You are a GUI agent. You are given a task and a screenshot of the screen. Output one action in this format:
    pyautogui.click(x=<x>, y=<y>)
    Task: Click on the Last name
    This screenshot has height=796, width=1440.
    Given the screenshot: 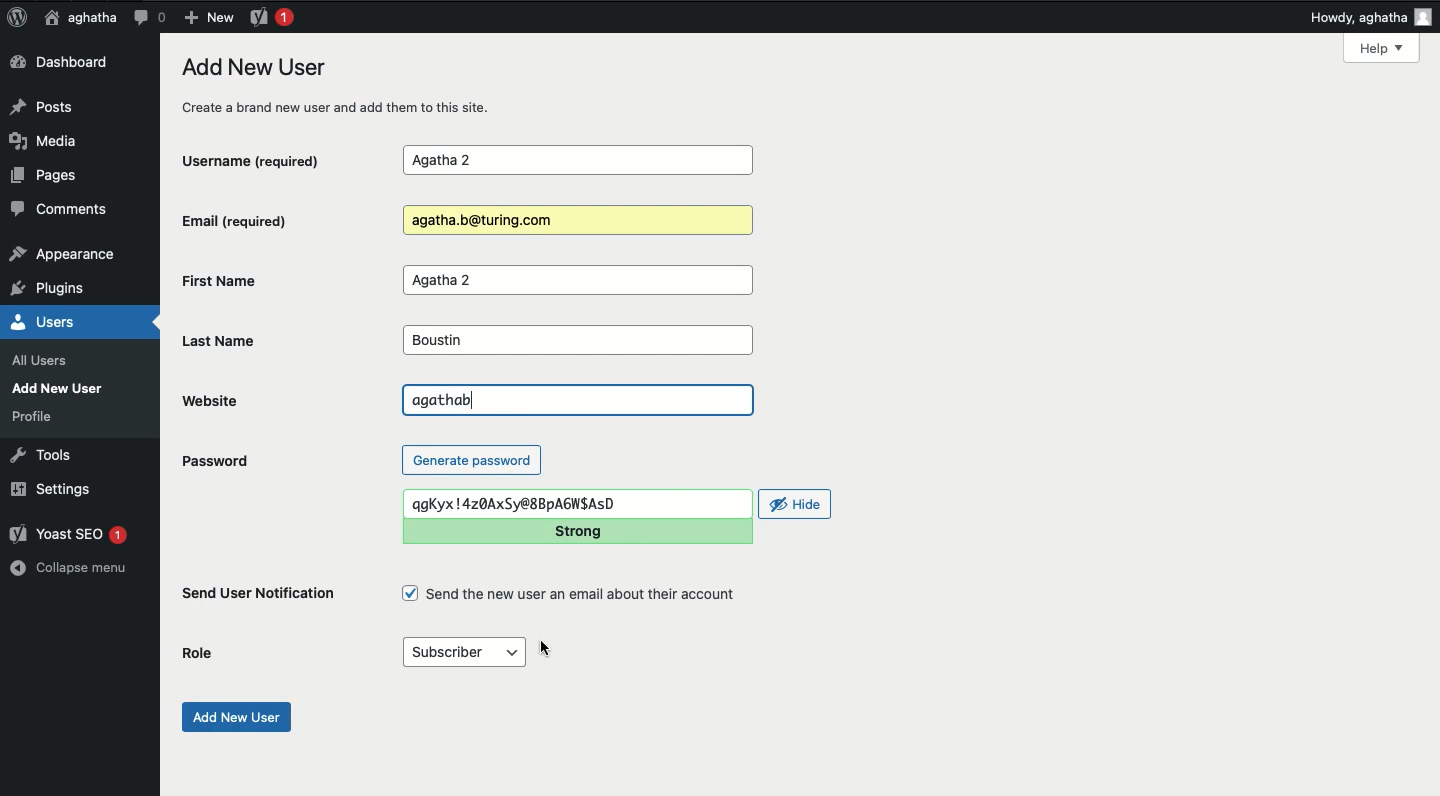 What is the action you would take?
    pyautogui.click(x=236, y=340)
    